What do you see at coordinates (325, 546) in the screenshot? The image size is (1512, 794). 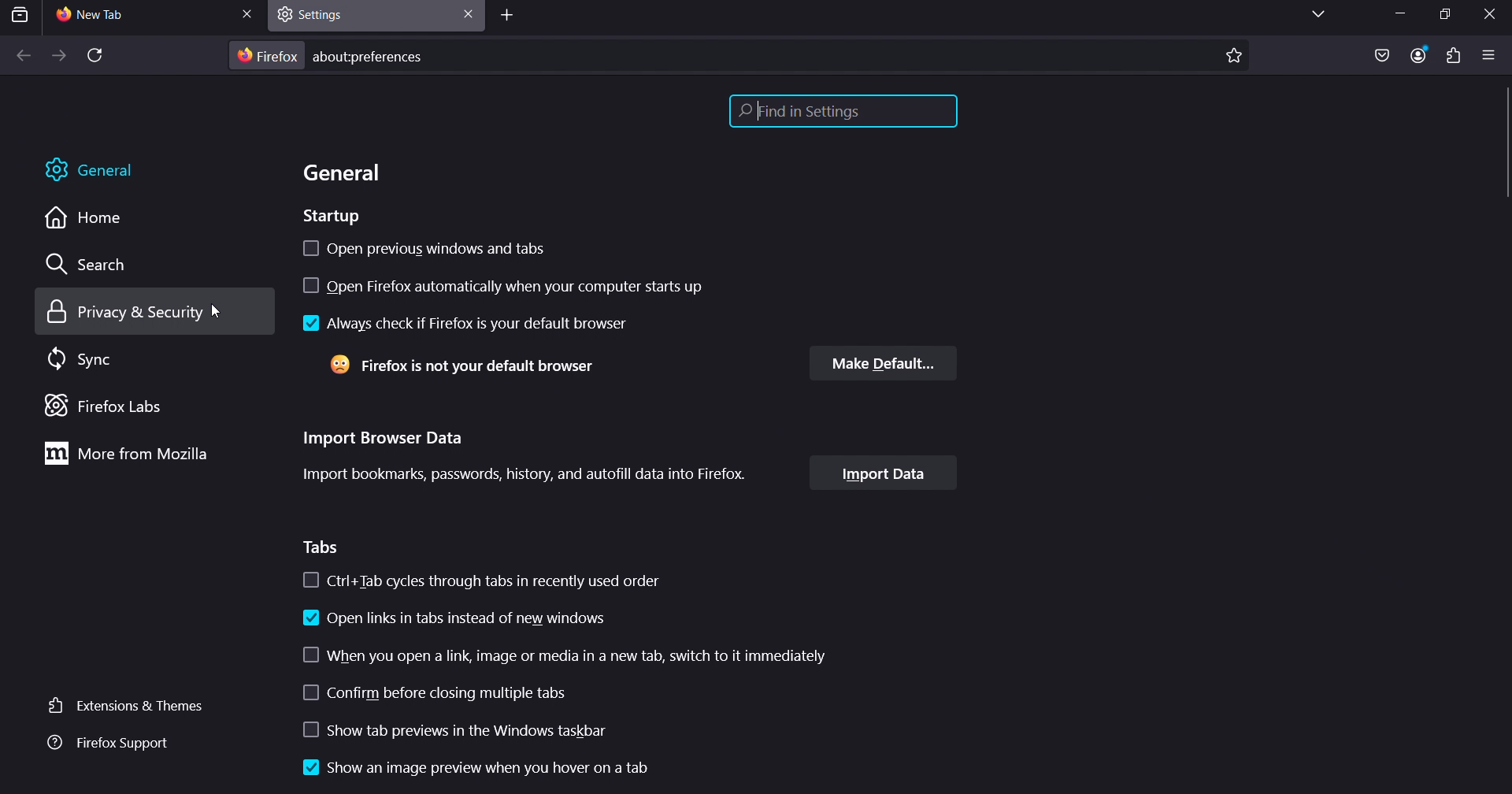 I see `tabs` at bounding box center [325, 546].